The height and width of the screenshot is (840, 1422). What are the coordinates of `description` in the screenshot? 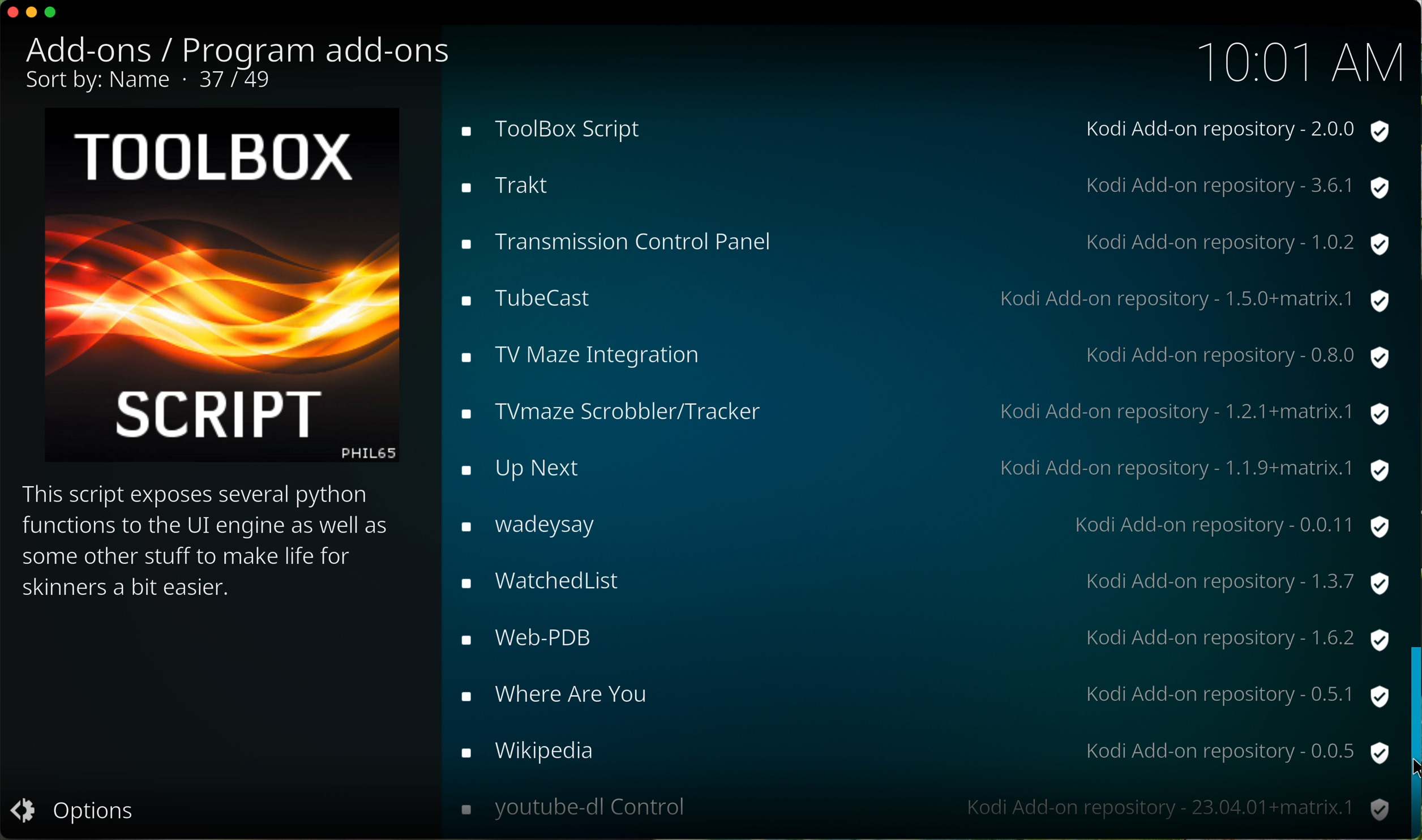 It's located at (212, 542).